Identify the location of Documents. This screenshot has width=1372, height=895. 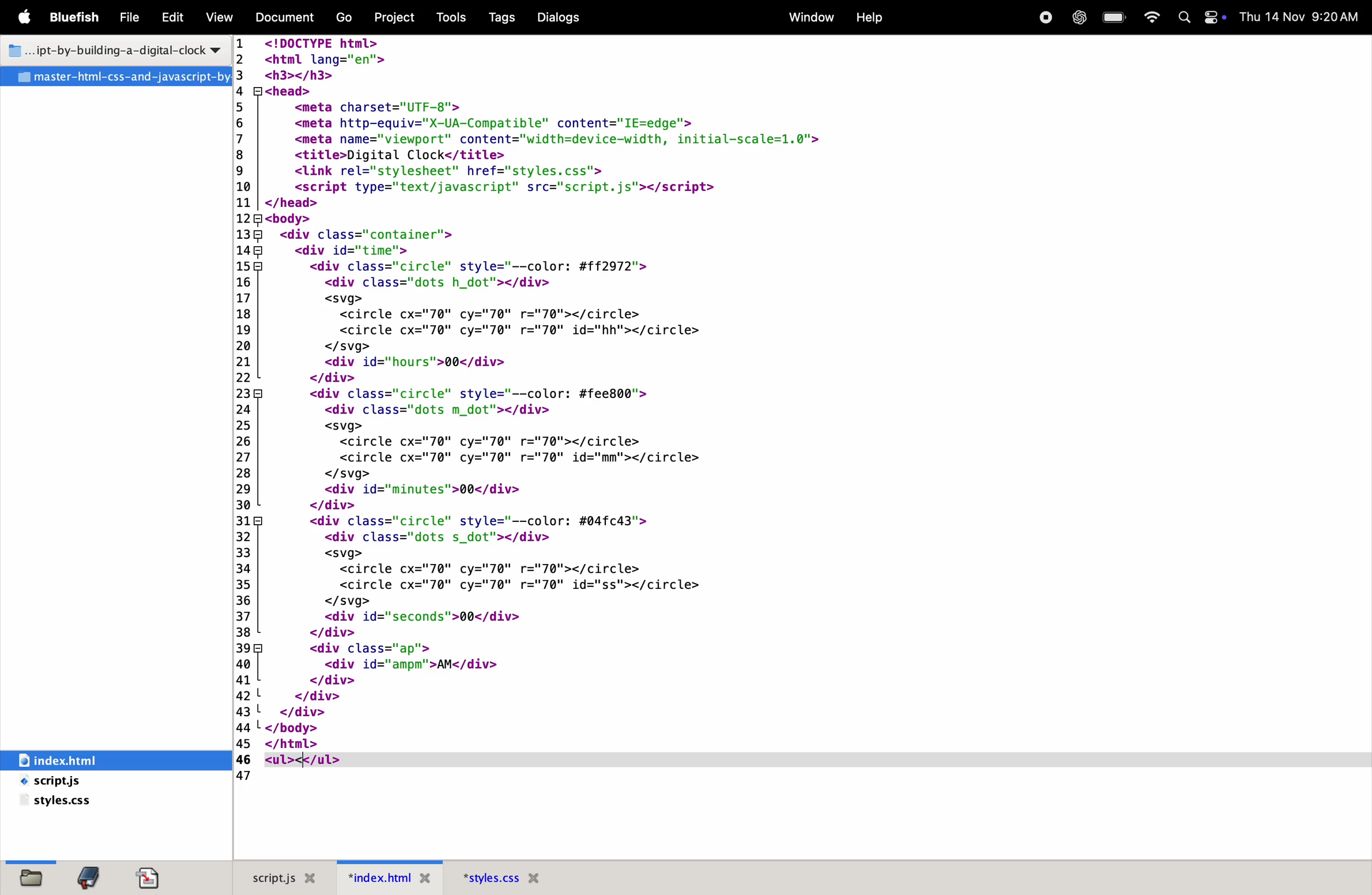
(287, 18).